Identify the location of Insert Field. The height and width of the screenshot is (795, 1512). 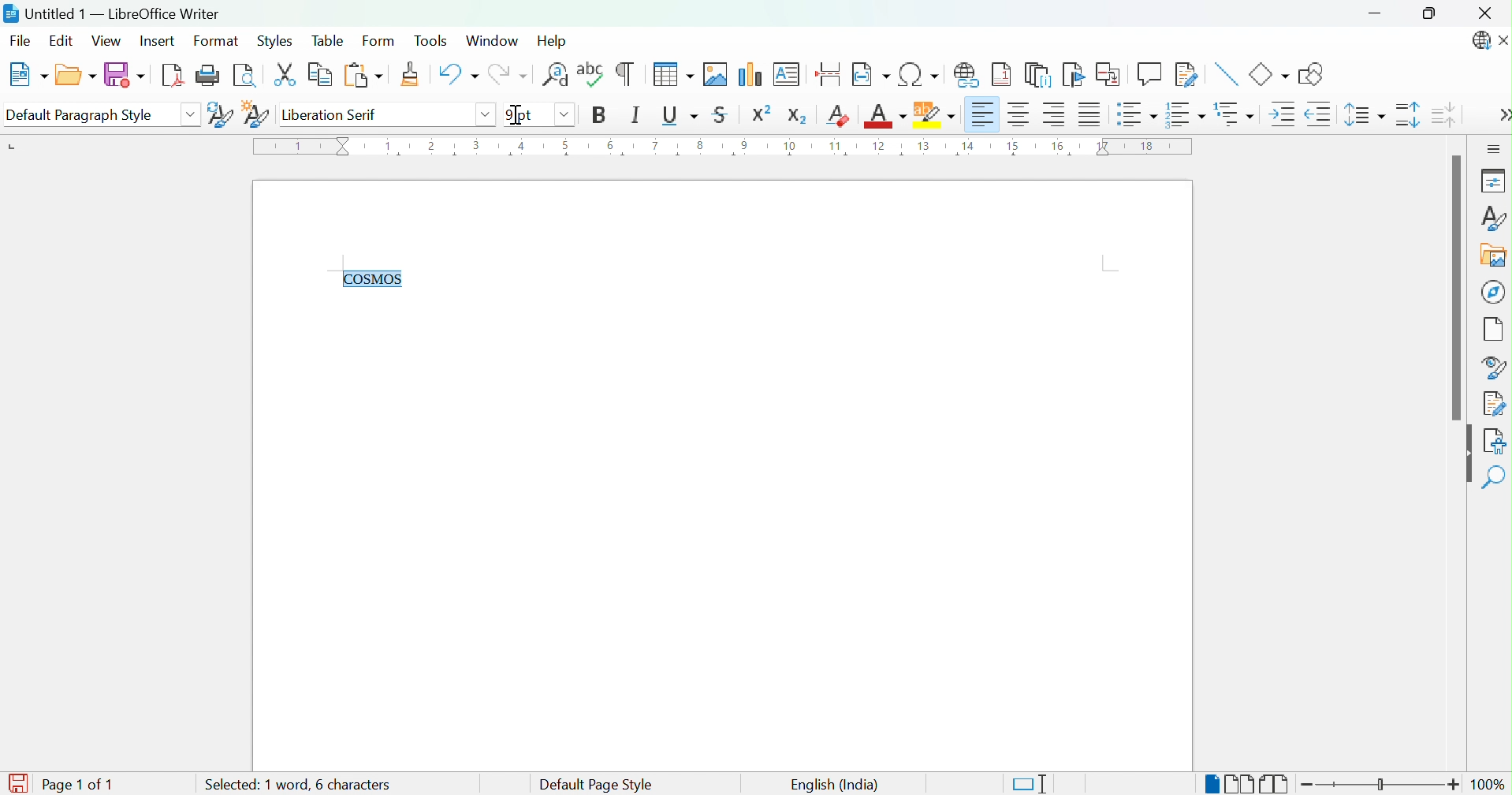
(869, 73).